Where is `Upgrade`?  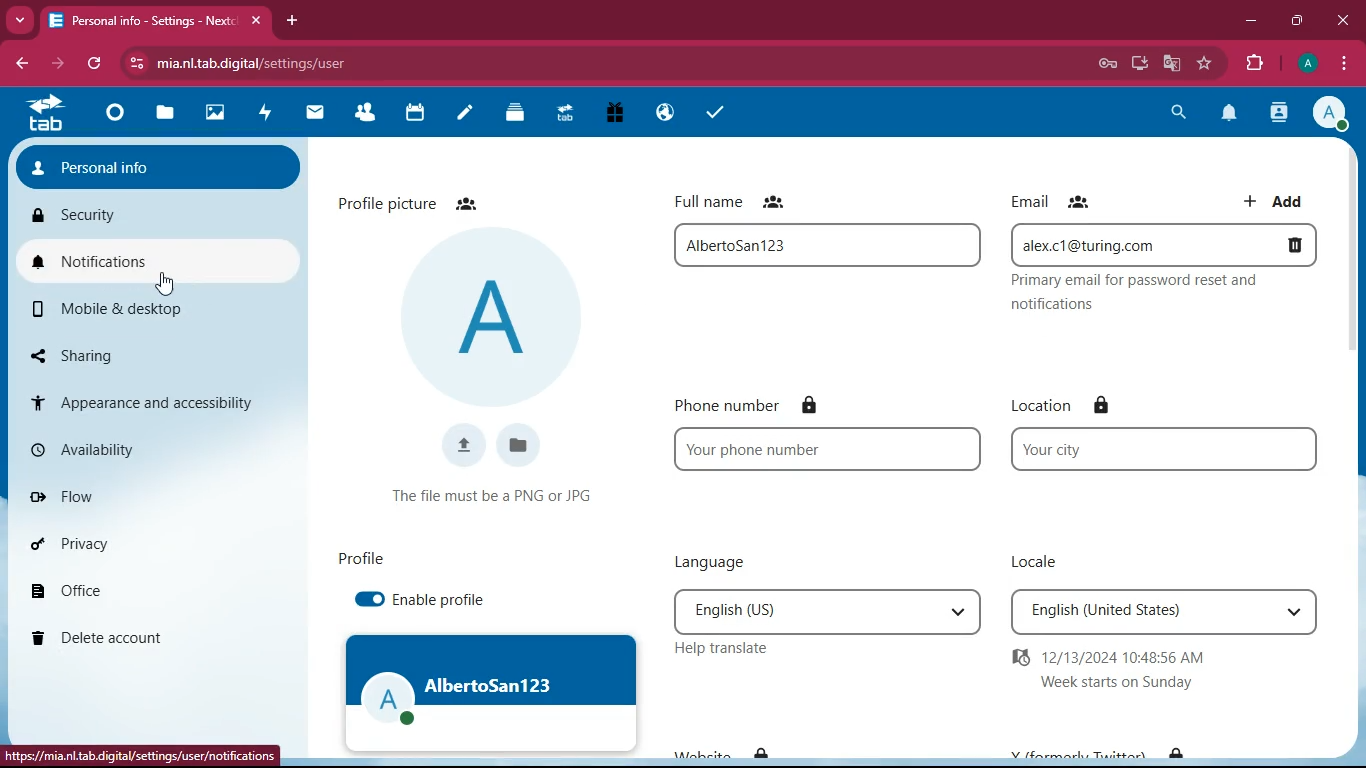
Upgrade is located at coordinates (566, 115).